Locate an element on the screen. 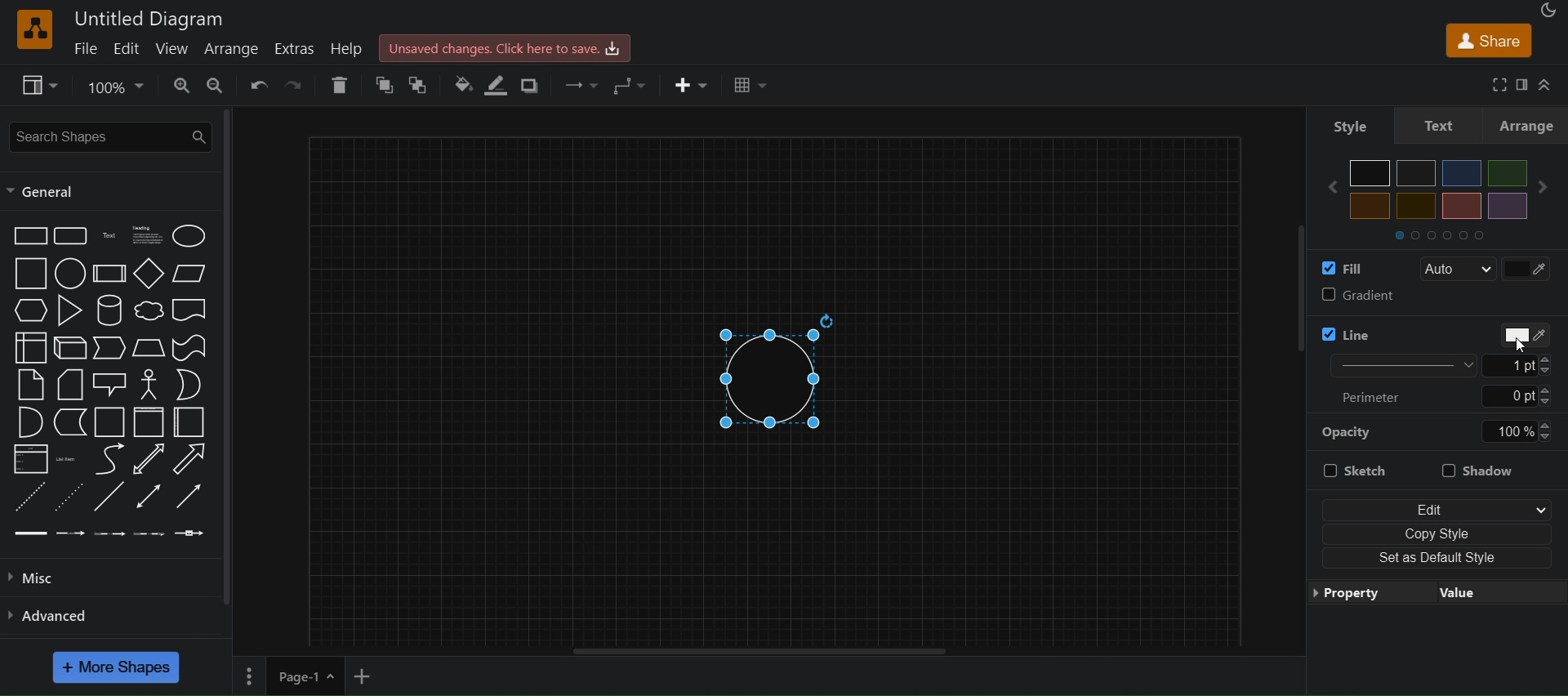 This screenshot has width=1568, height=696. rectangle is located at coordinates (29, 234).